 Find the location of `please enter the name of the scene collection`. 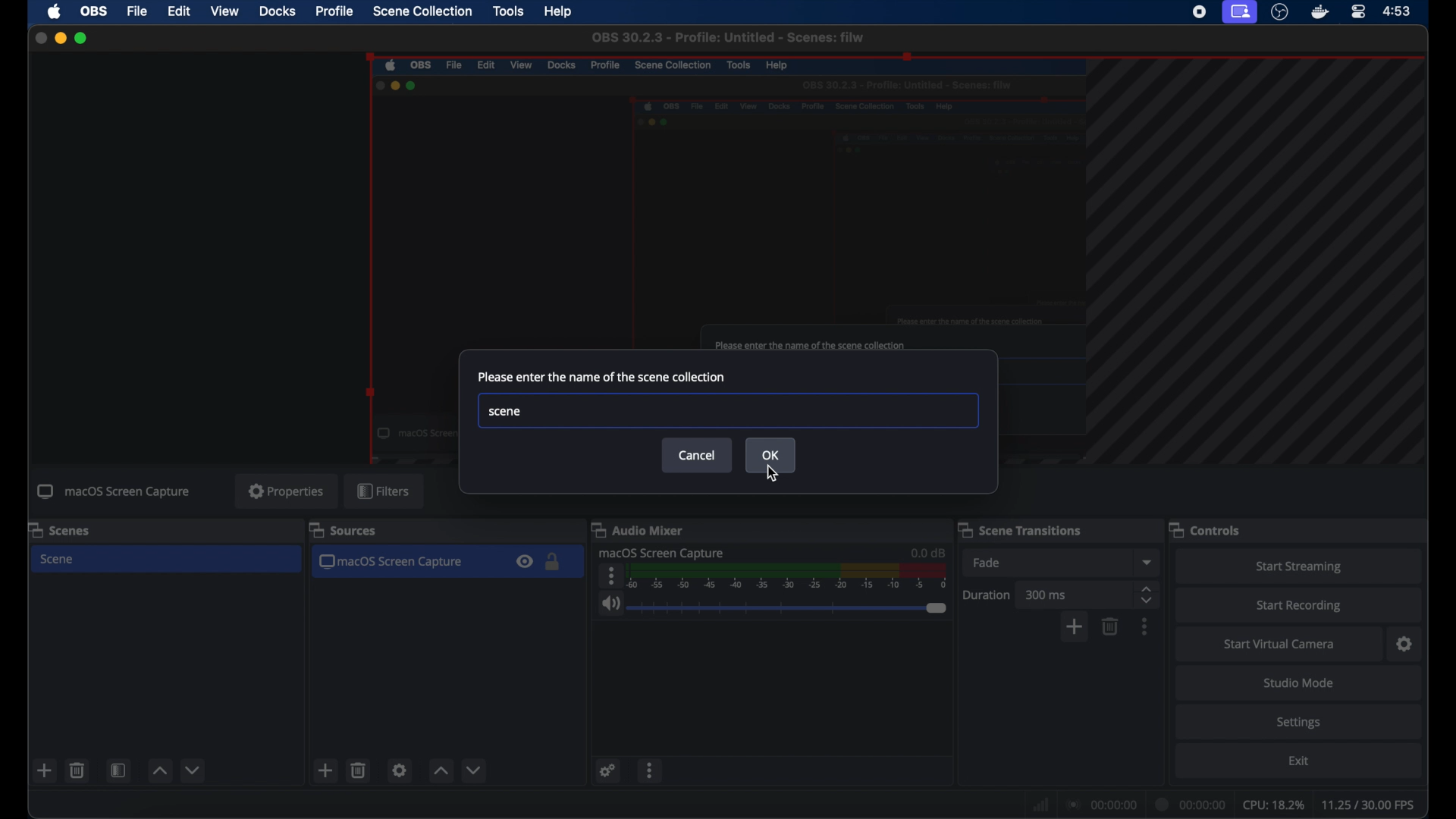

please enter the name of the scene collection is located at coordinates (602, 377).